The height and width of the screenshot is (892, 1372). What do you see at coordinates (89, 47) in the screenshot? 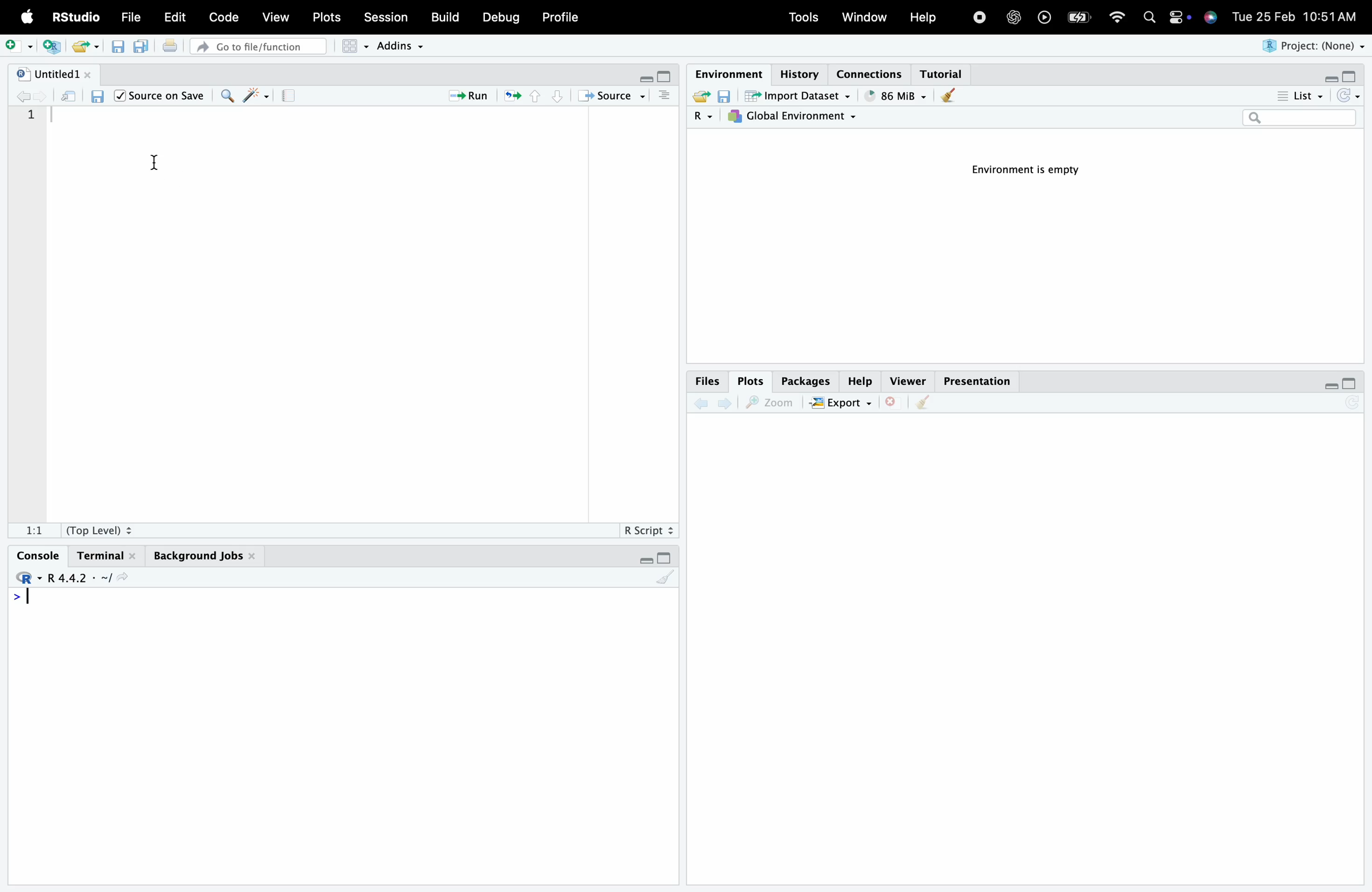
I see `export file` at bounding box center [89, 47].